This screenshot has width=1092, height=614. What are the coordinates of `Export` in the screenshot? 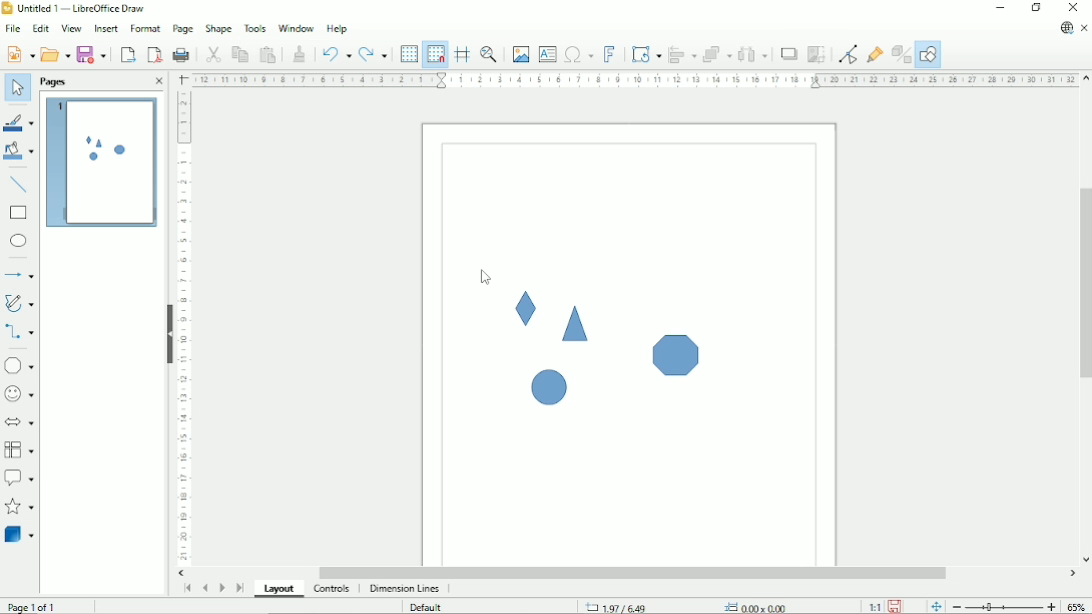 It's located at (128, 54).